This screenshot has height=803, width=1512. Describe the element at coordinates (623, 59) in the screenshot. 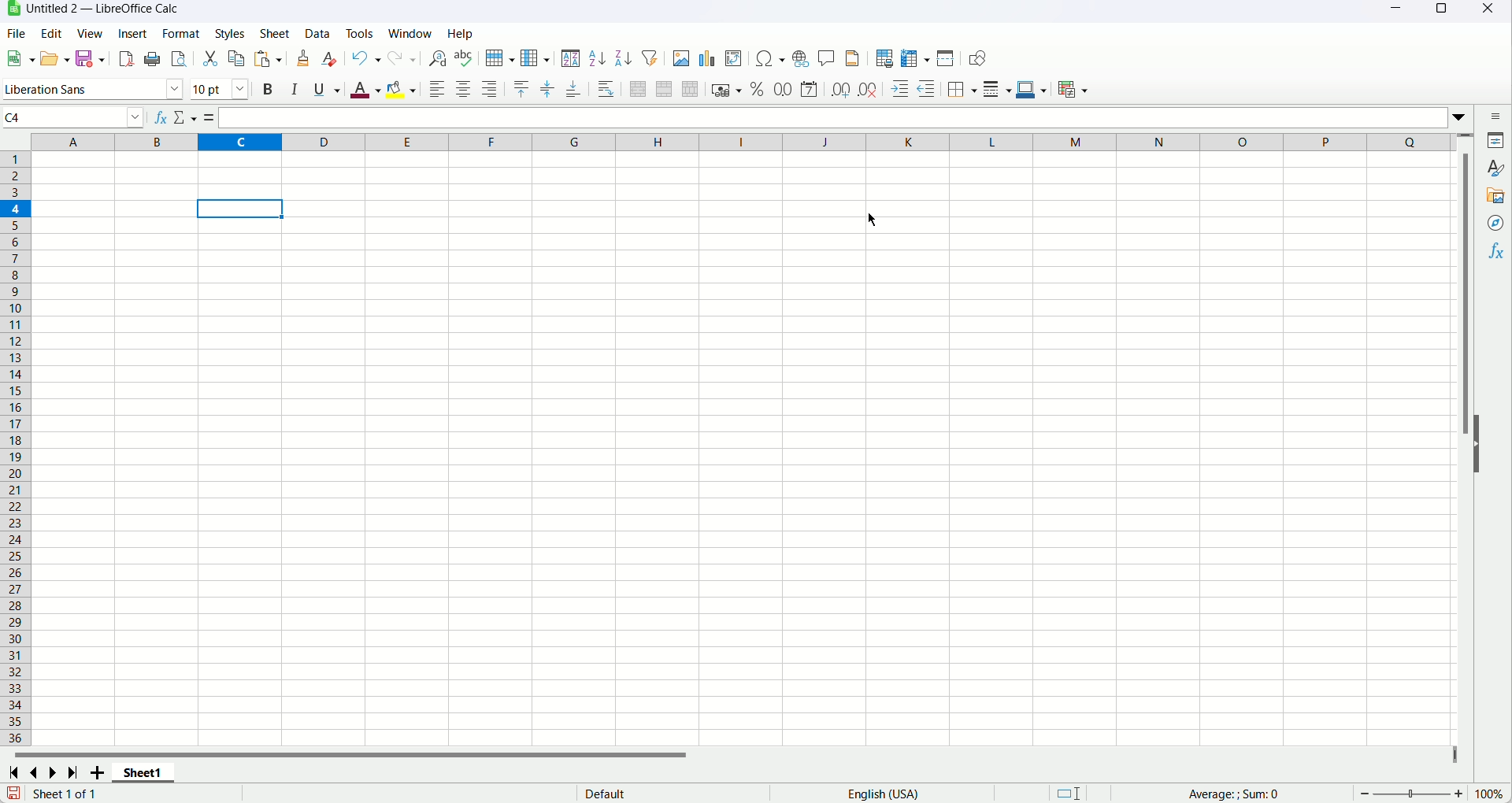

I see `Sort descending` at that location.